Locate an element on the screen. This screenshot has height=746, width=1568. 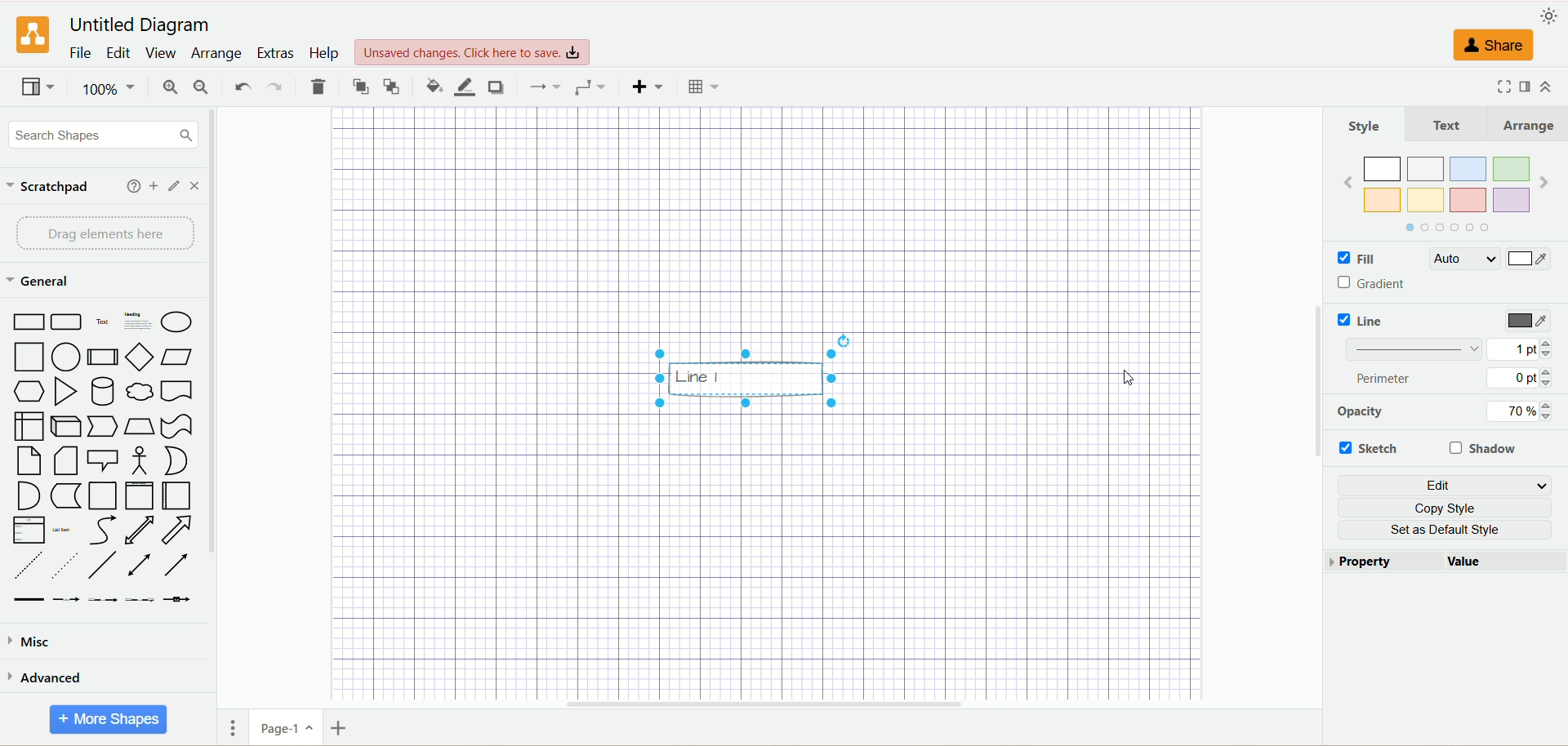
Checkbox is located at coordinates (1341, 319).